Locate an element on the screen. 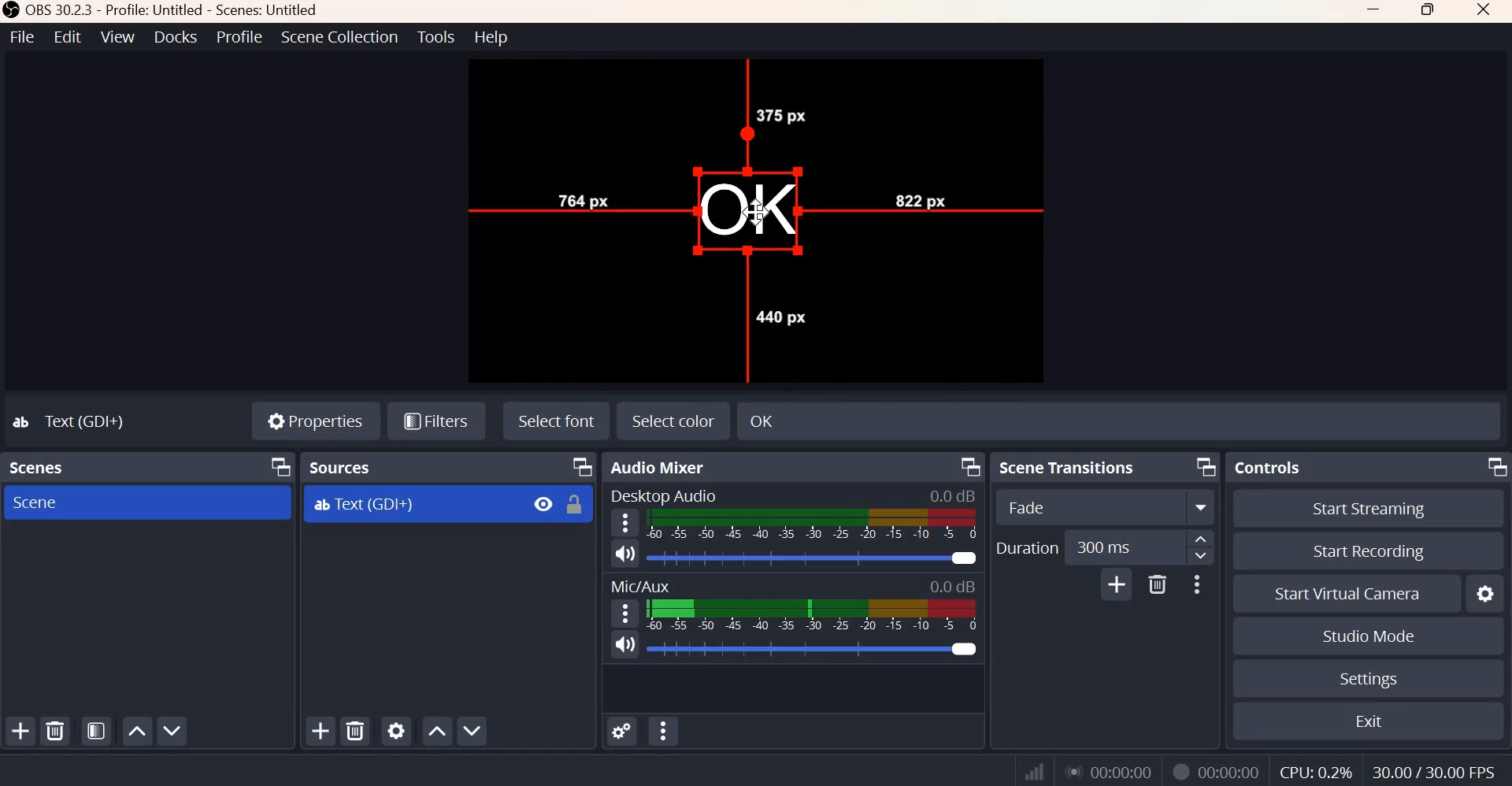 The image size is (1512, 786). Audio Slider is located at coordinates (813, 558).